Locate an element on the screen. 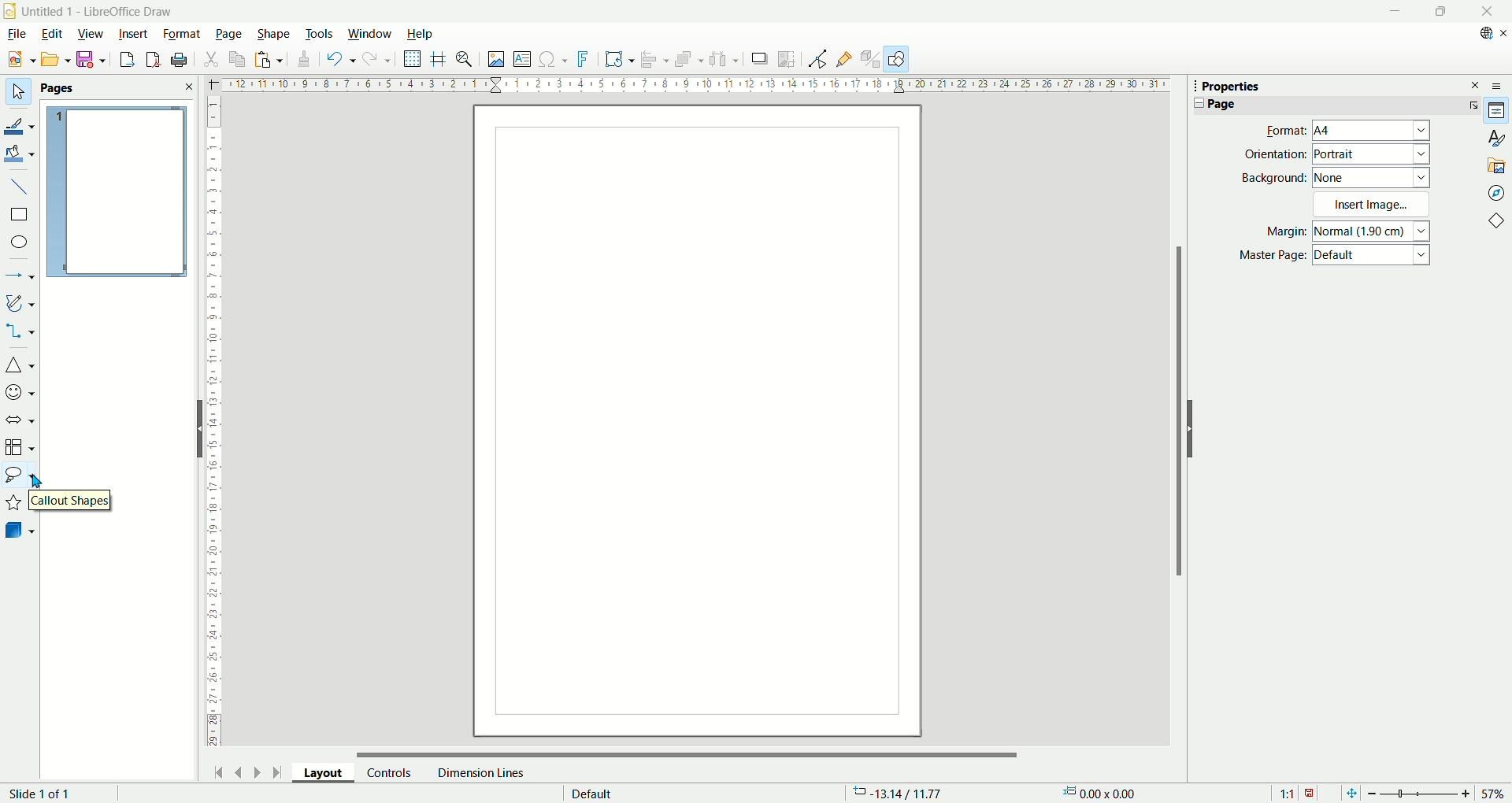  connectors is located at coordinates (20, 332).